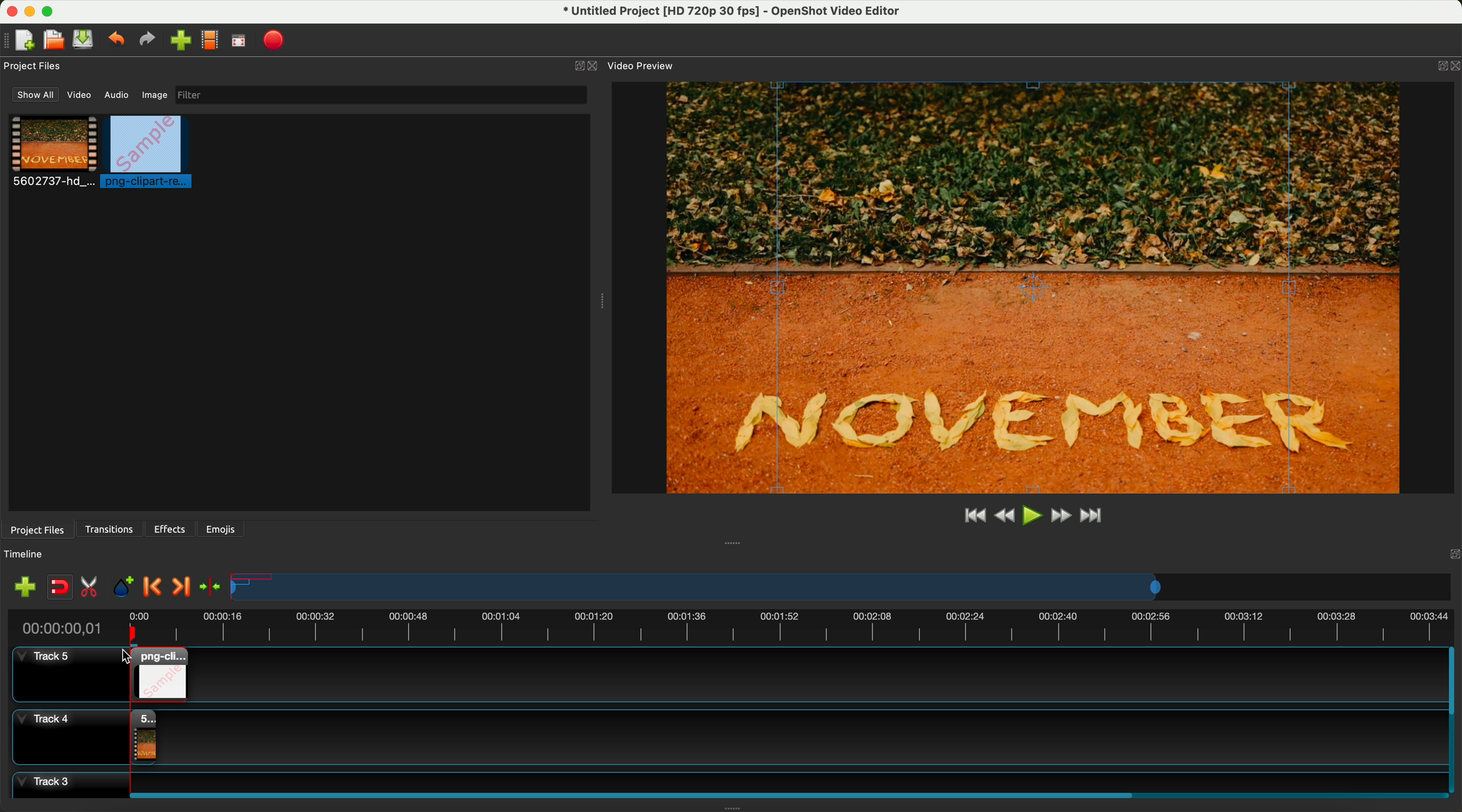  Describe the element at coordinates (586, 66) in the screenshot. I see `close` at that location.